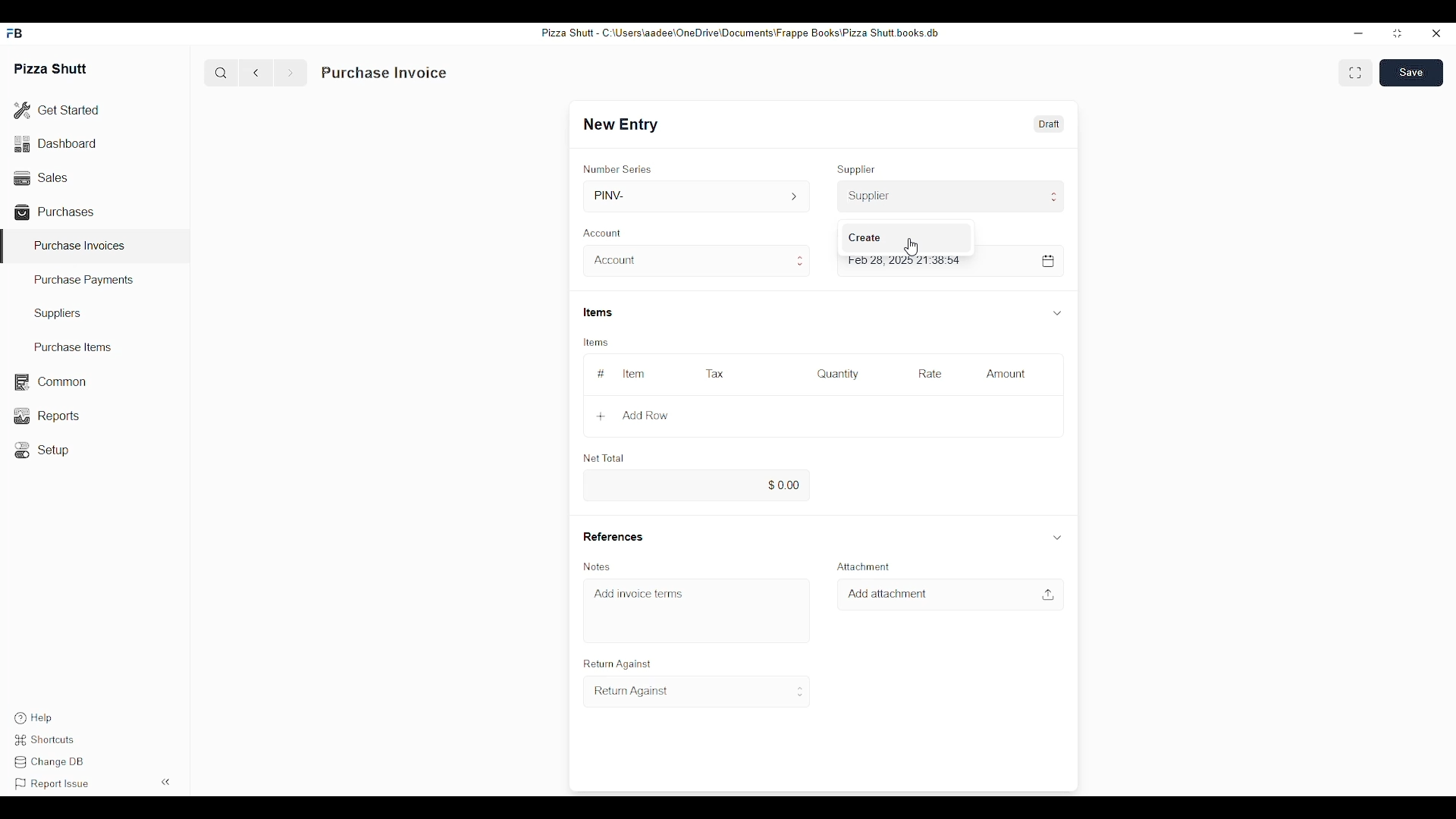  What do you see at coordinates (597, 344) in the screenshot?
I see `Items` at bounding box center [597, 344].